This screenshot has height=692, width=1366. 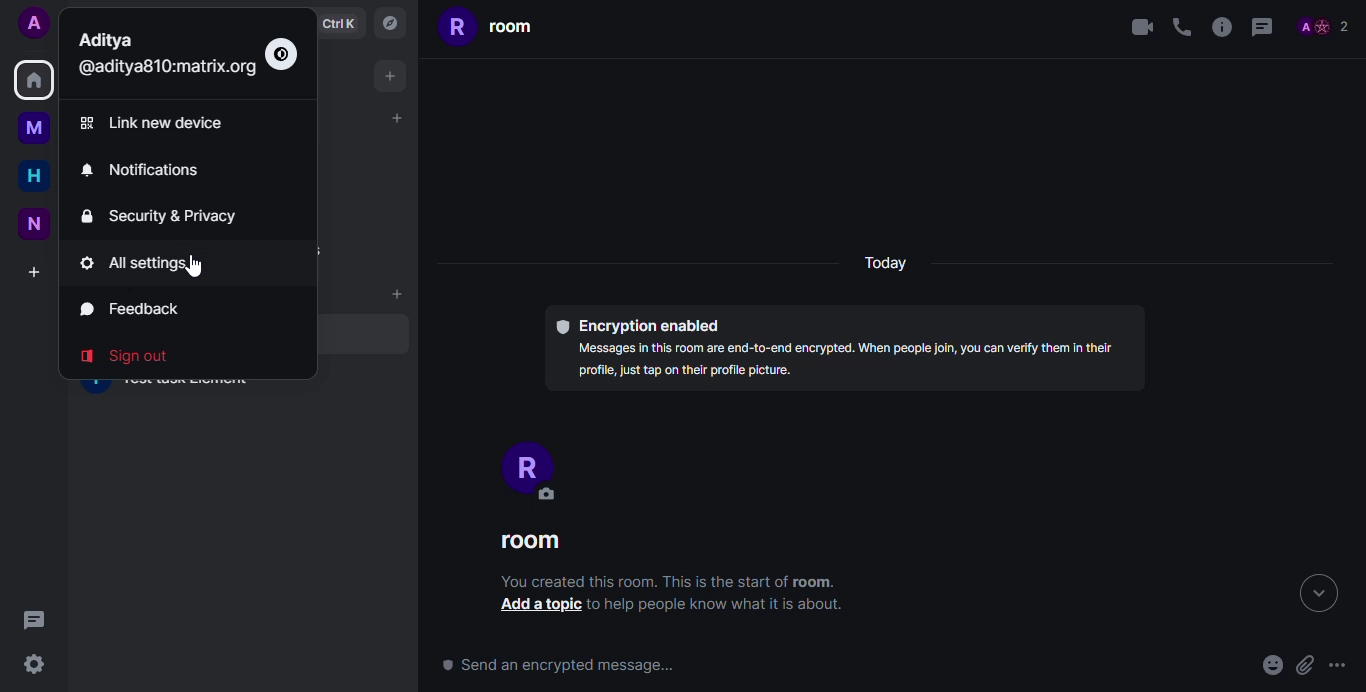 I want to click on myspace, so click(x=34, y=129).